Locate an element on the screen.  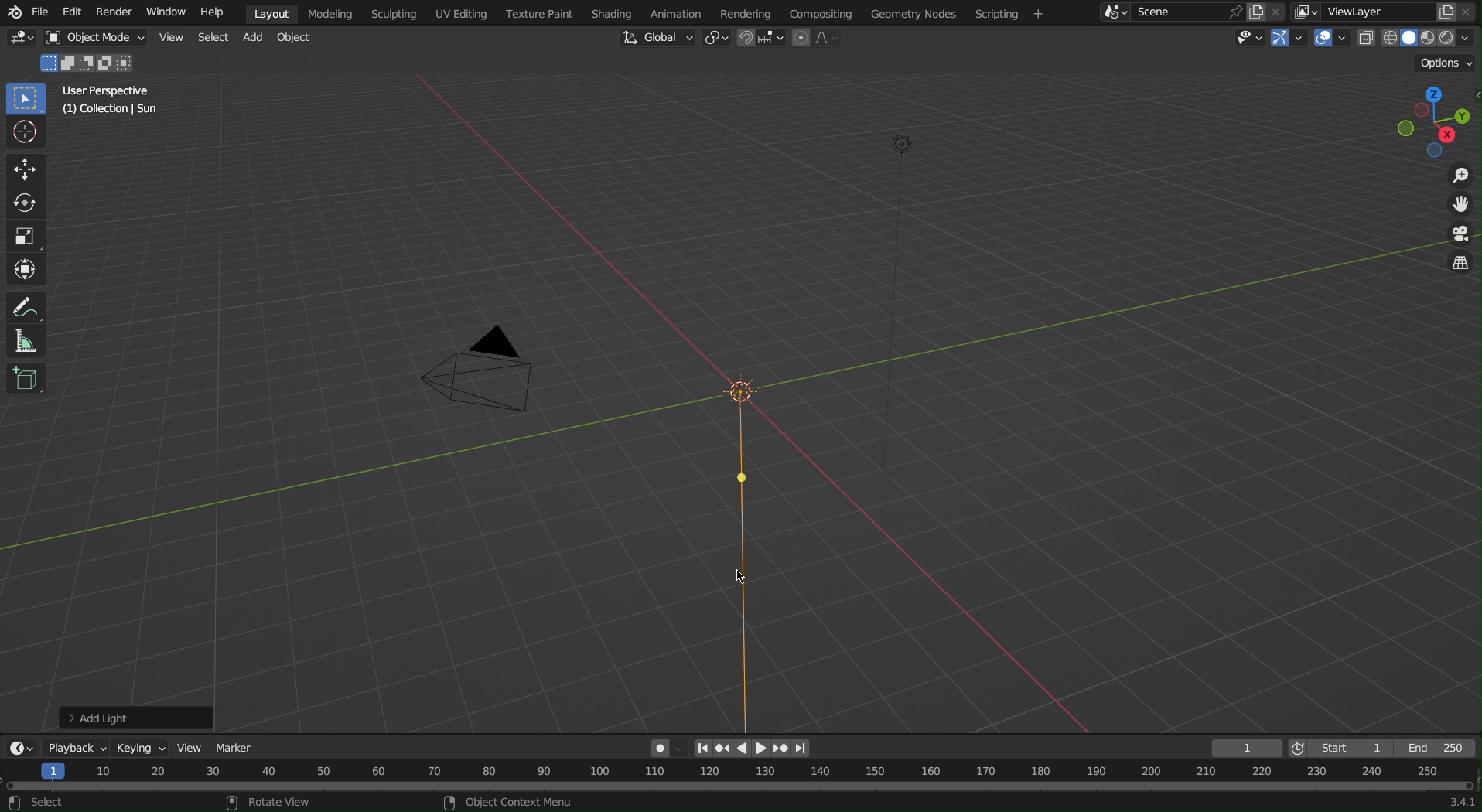
Shading is located at coordinates (611, 12).